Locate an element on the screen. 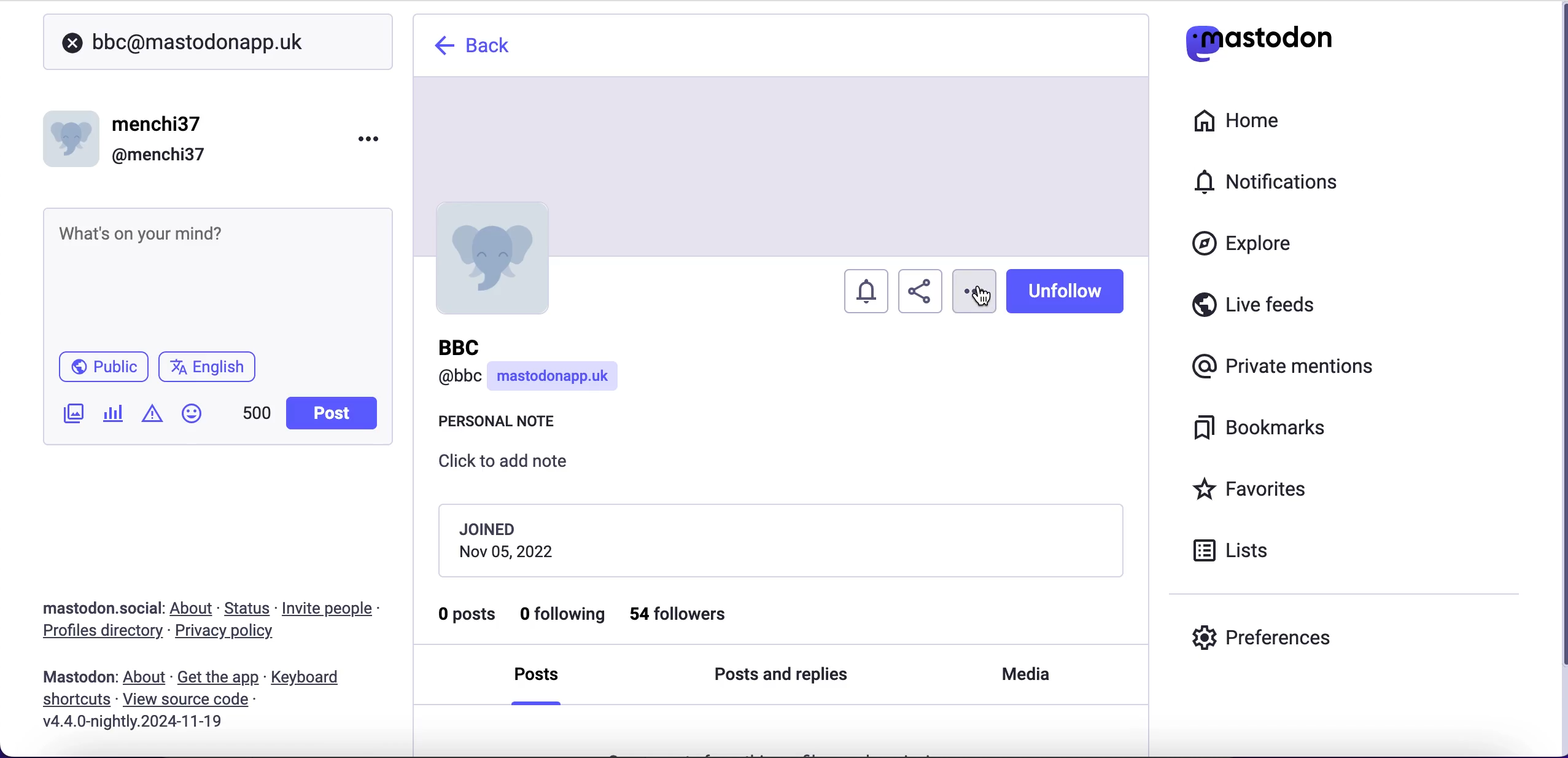 This screenshot has height=758, width=1568. personal note is located at coordinates (503, 424).